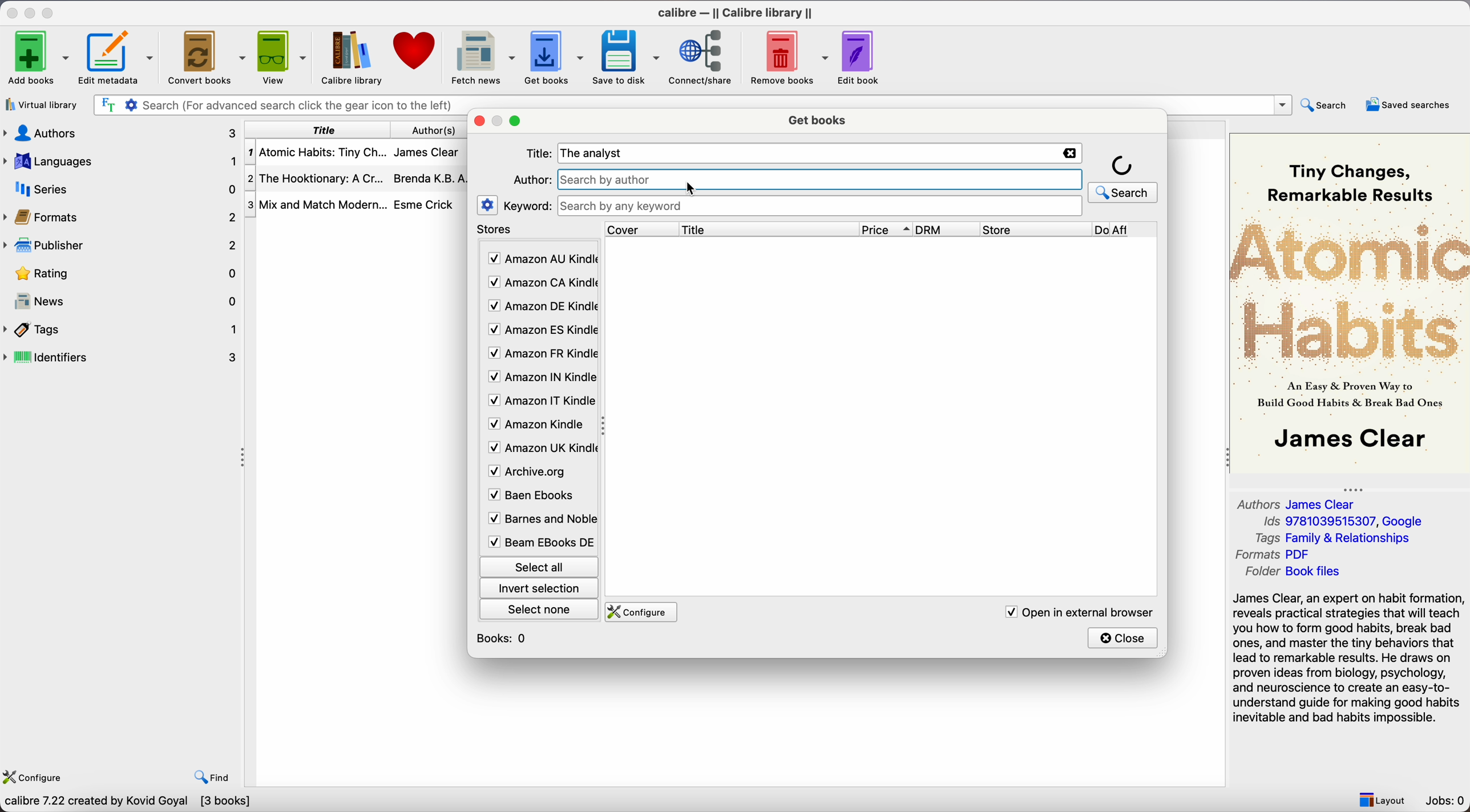 This screenshot has width=1470, height=812. What do you see at coordinates (821, 206) in the screenshot?
I see `search bar` at bounding box center [821, 206].